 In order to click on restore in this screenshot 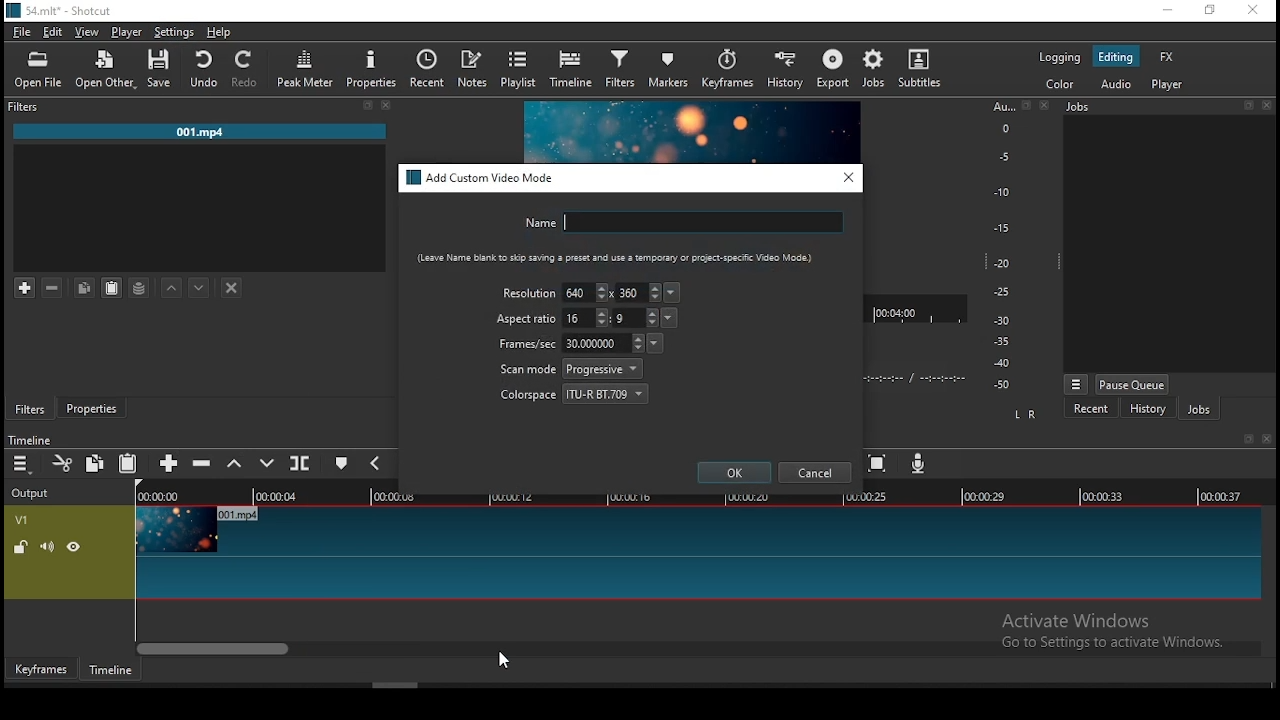, I will do `click(367, 106)`.